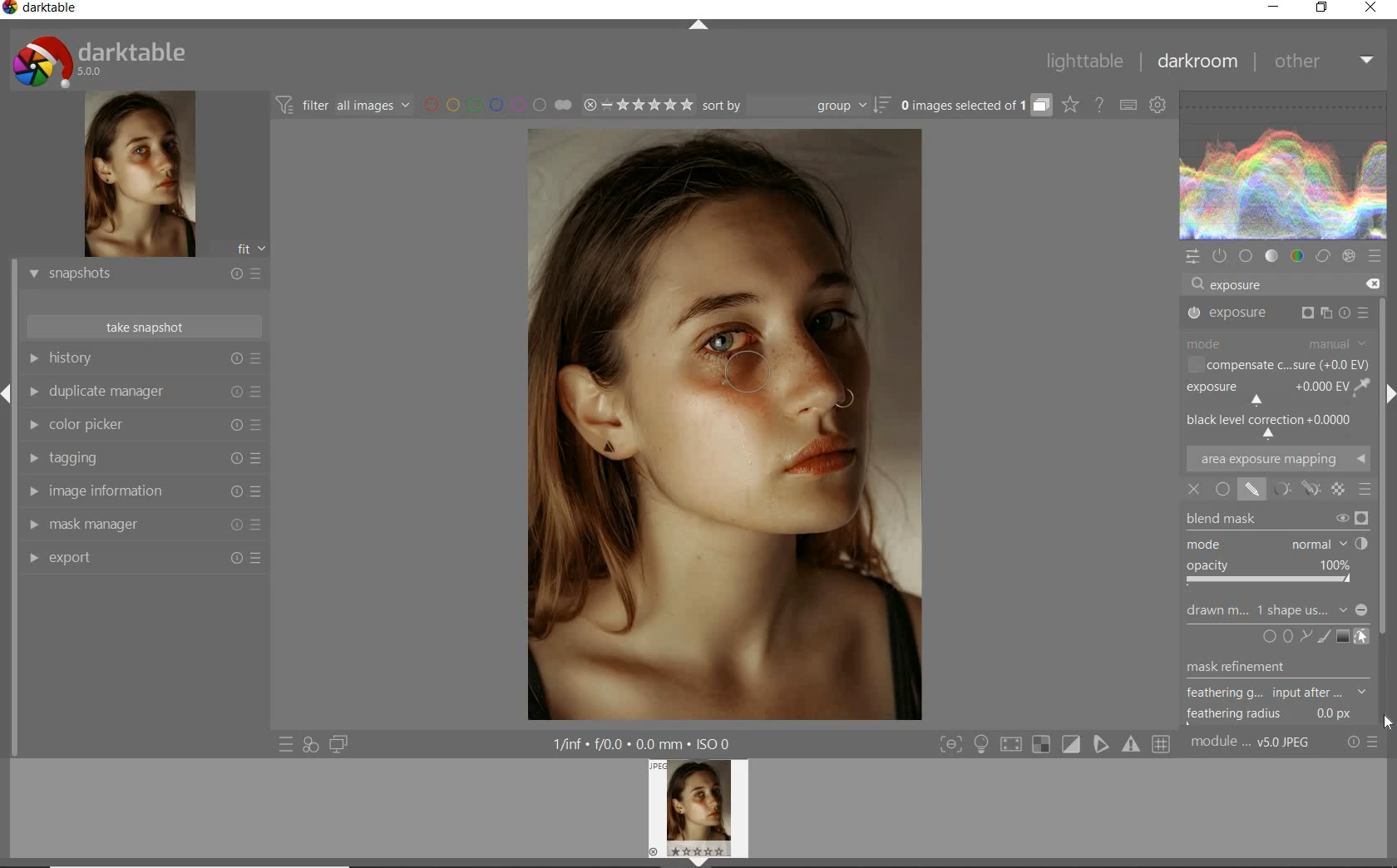  Describe the element at coordinates (1255, 491) in the screenshot. I see `drawn musk` at that location.